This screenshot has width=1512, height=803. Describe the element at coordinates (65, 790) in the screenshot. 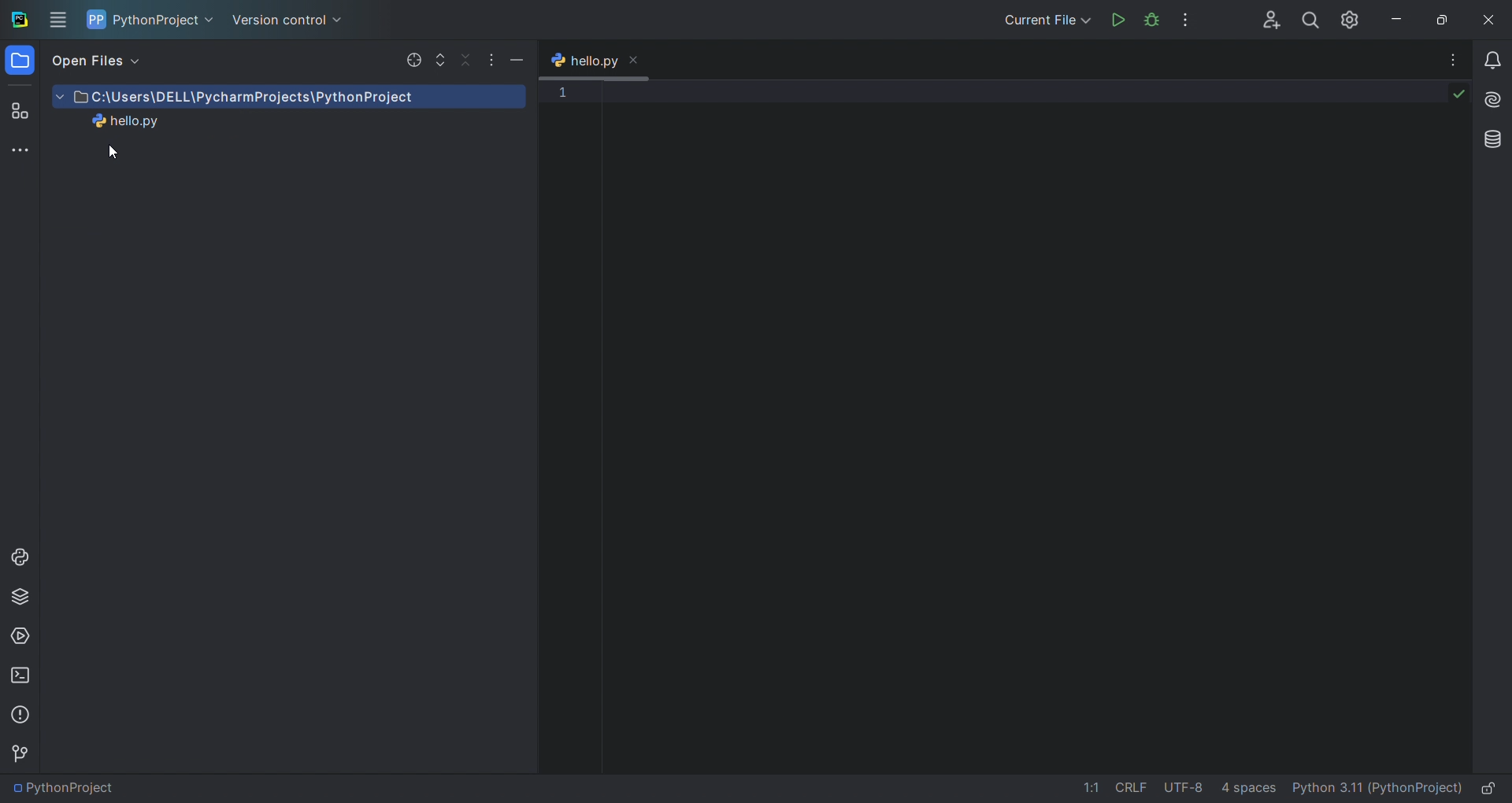

I see `file path` at that location.